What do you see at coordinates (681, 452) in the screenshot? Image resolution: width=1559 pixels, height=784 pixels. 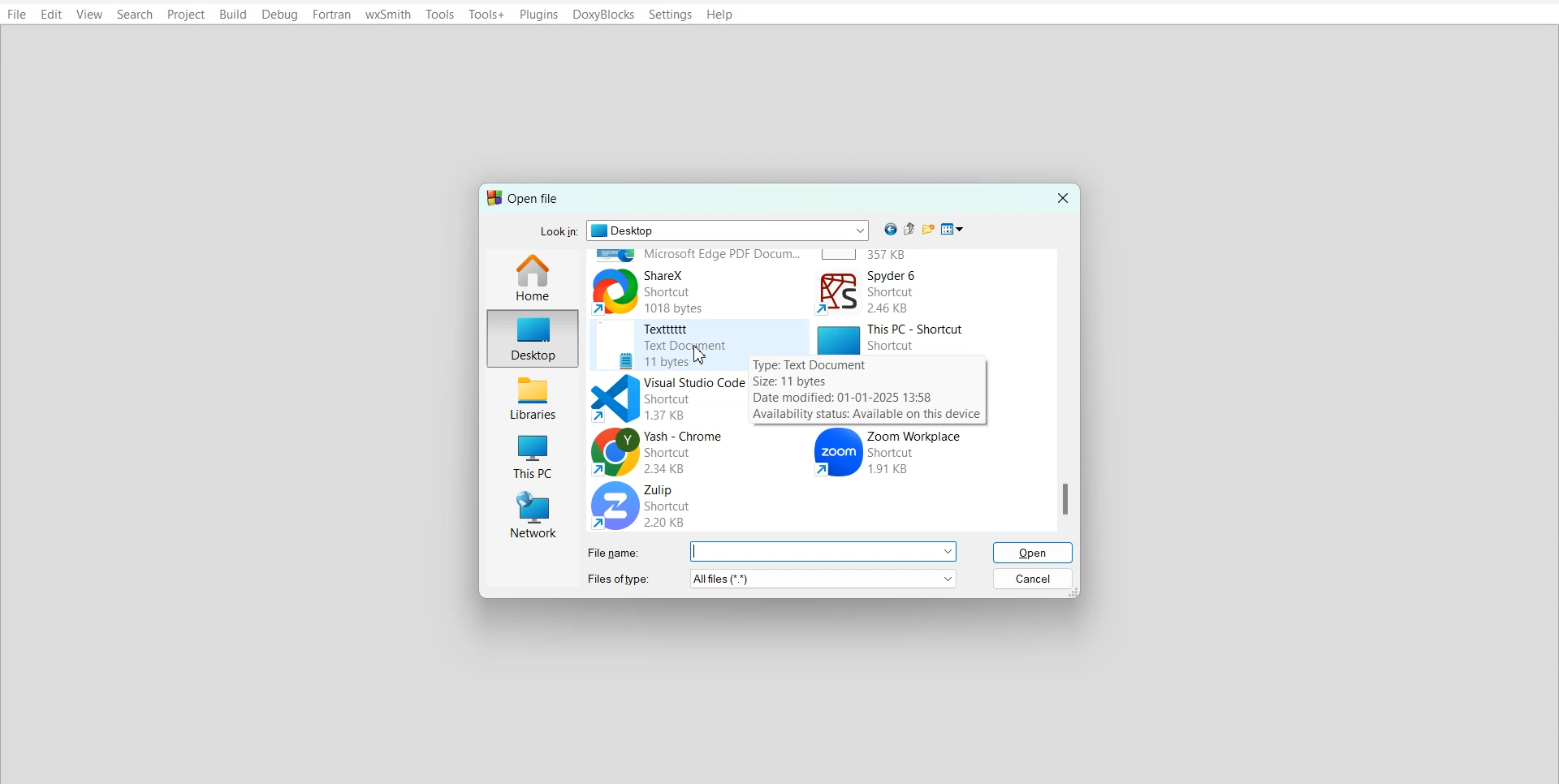 I see `Chrome` at bounding box center [681, 452].